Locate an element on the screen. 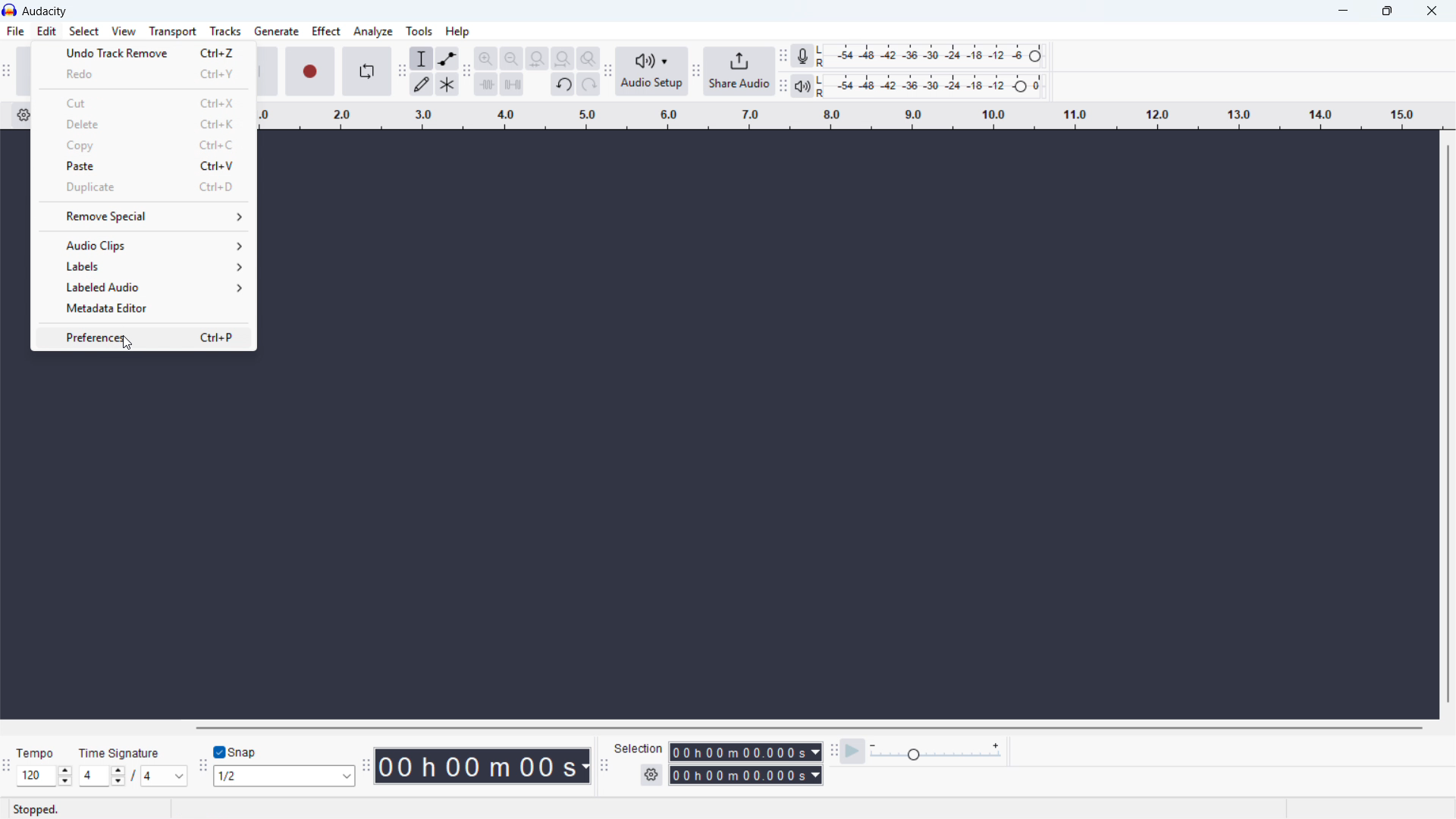 This screenshot has height=819, width=1456. labels is located at coordinates (143, 267).